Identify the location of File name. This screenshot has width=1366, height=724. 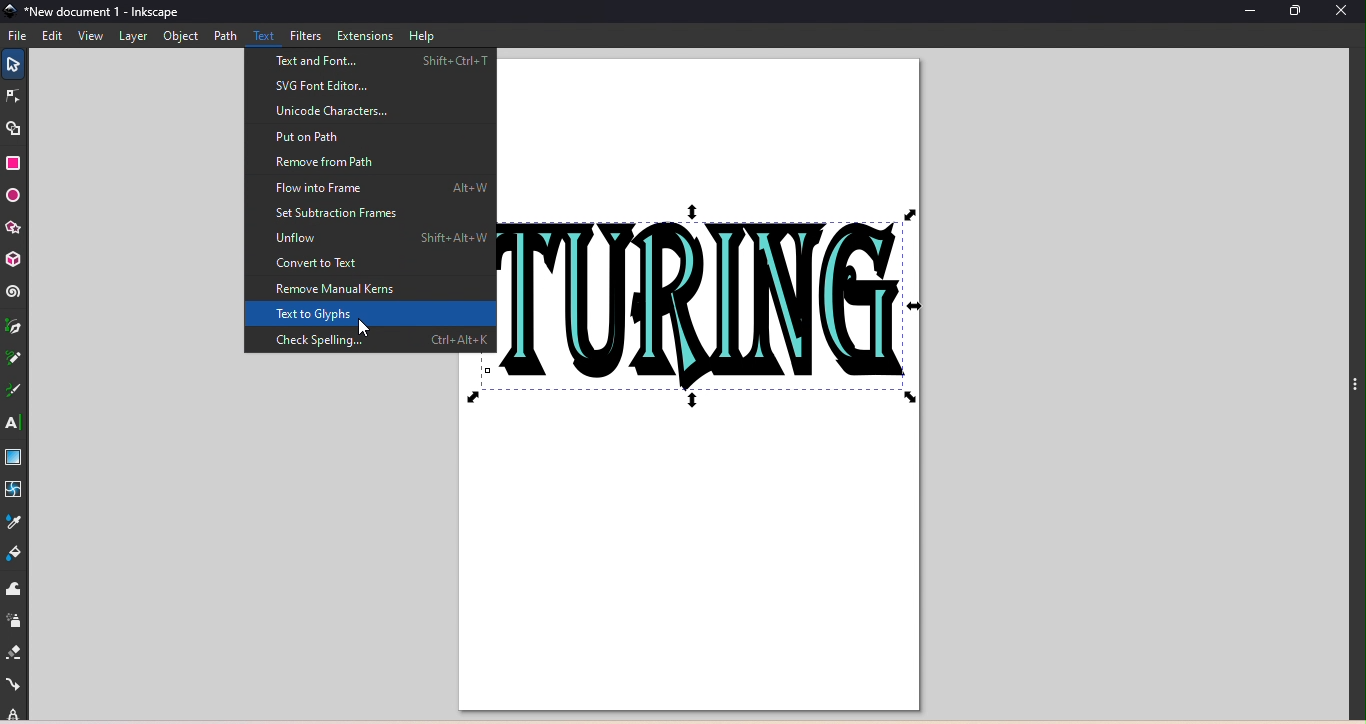
(94, 13).